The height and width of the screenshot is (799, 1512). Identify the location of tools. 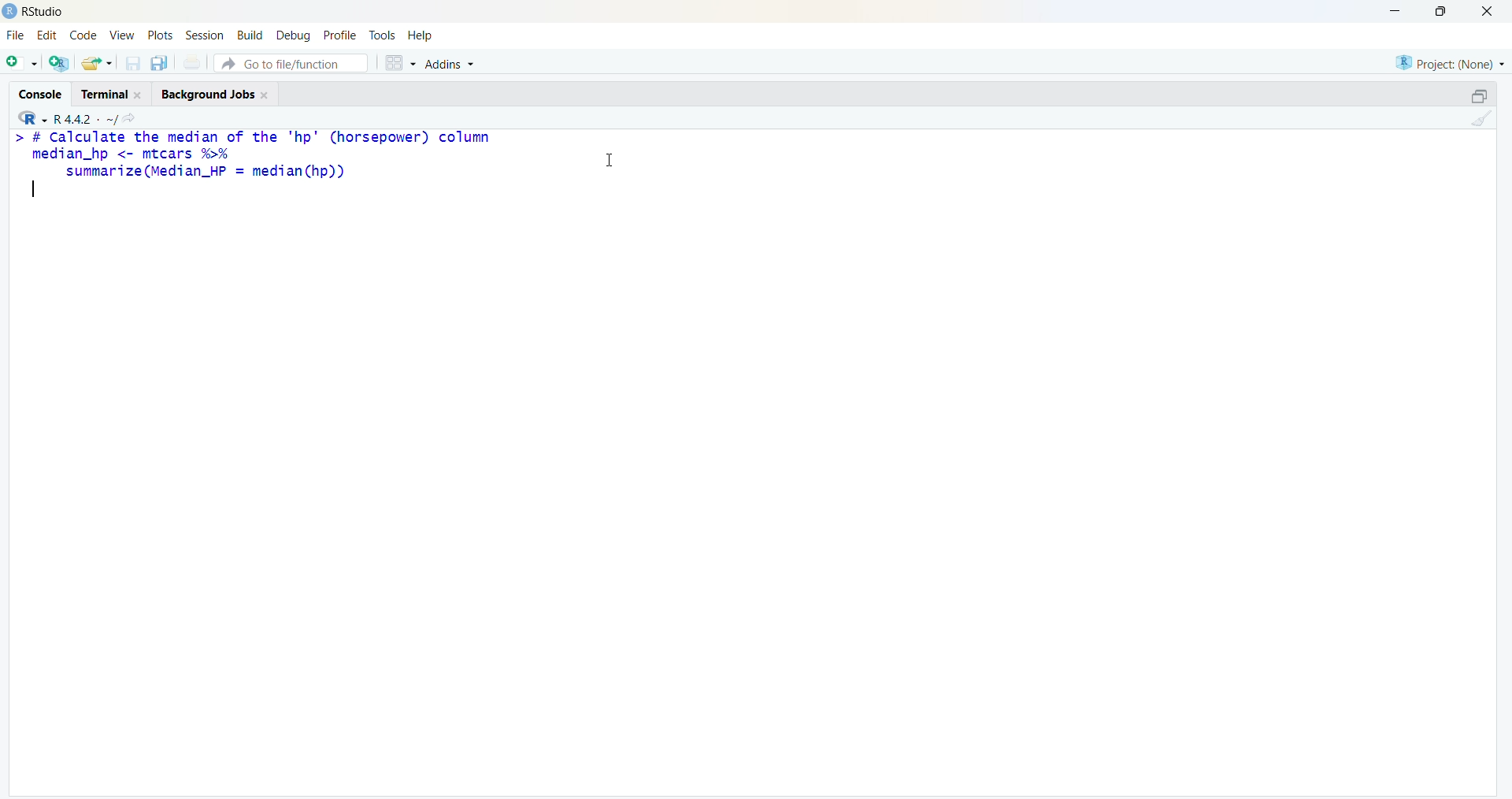
(384, 36).